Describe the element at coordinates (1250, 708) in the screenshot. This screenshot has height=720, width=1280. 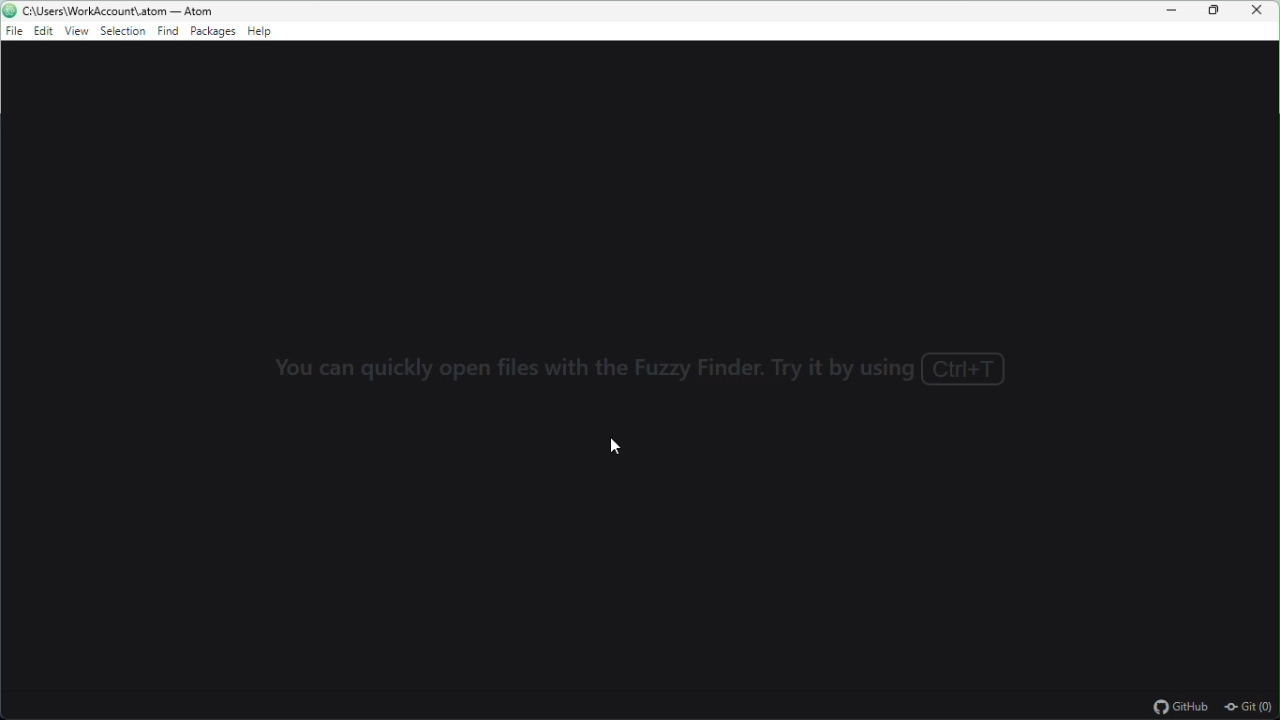
I see `git` at that location.